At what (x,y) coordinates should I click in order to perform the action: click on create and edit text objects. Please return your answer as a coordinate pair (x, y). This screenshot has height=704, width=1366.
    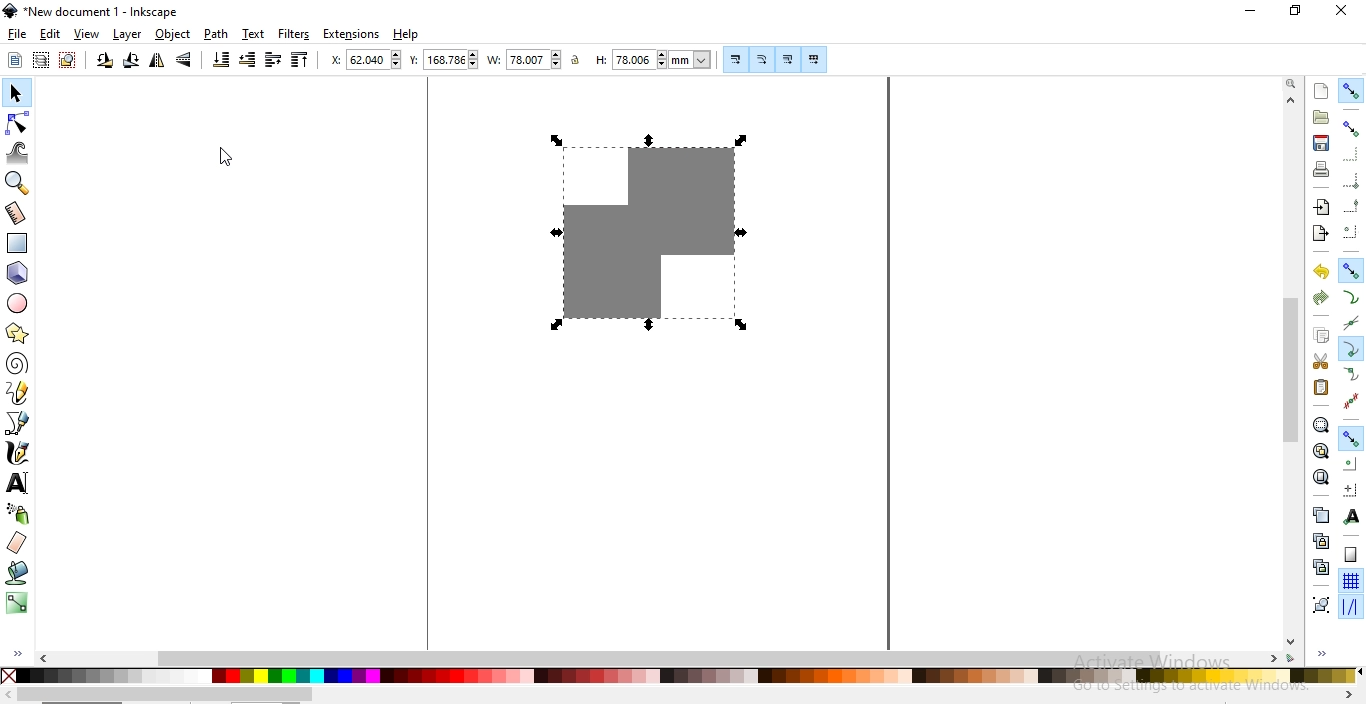
    Looking at the image, I should click on (17, 483).